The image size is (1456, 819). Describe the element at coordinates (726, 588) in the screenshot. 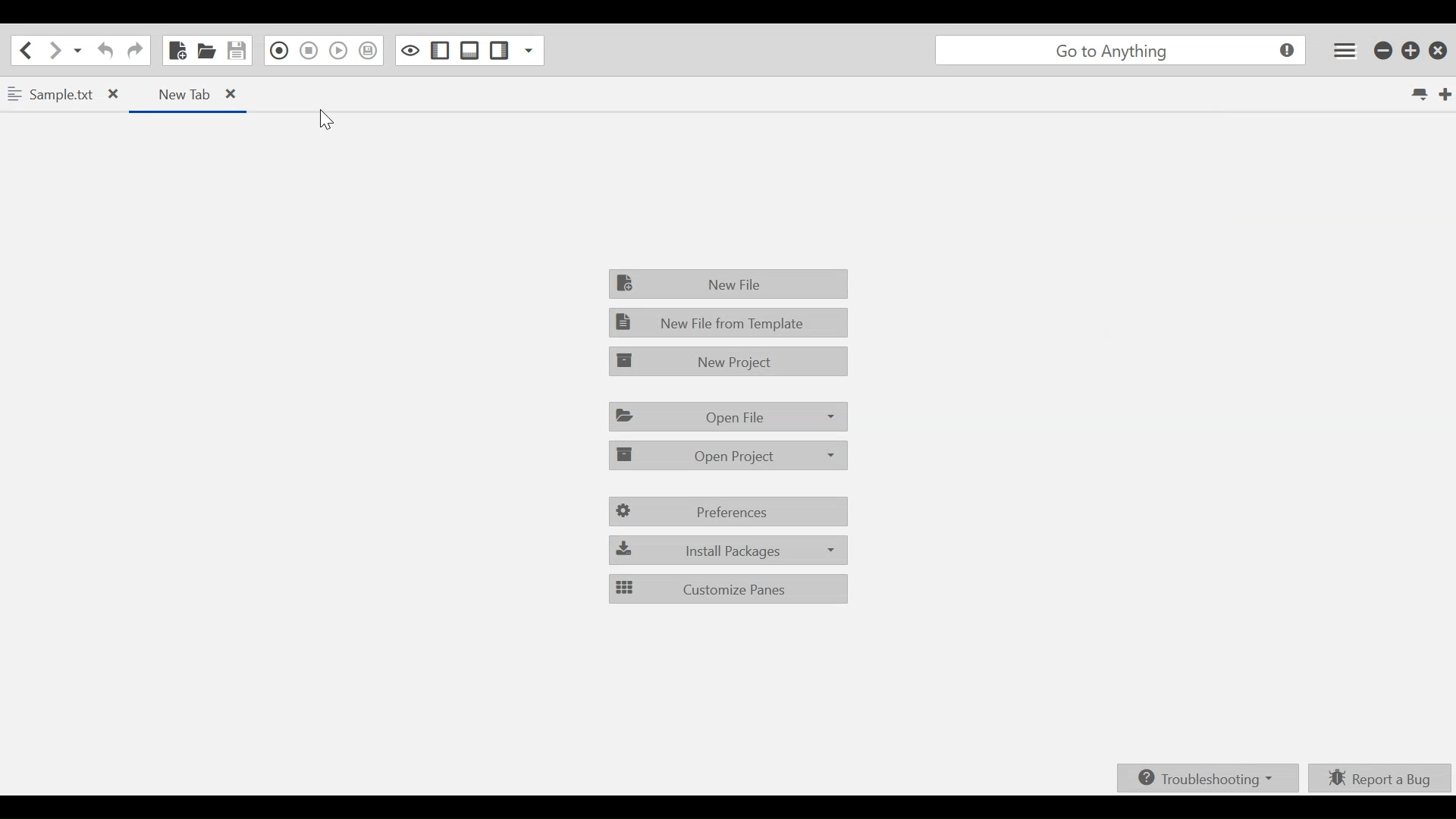

I see `Customize Panes` at that location.